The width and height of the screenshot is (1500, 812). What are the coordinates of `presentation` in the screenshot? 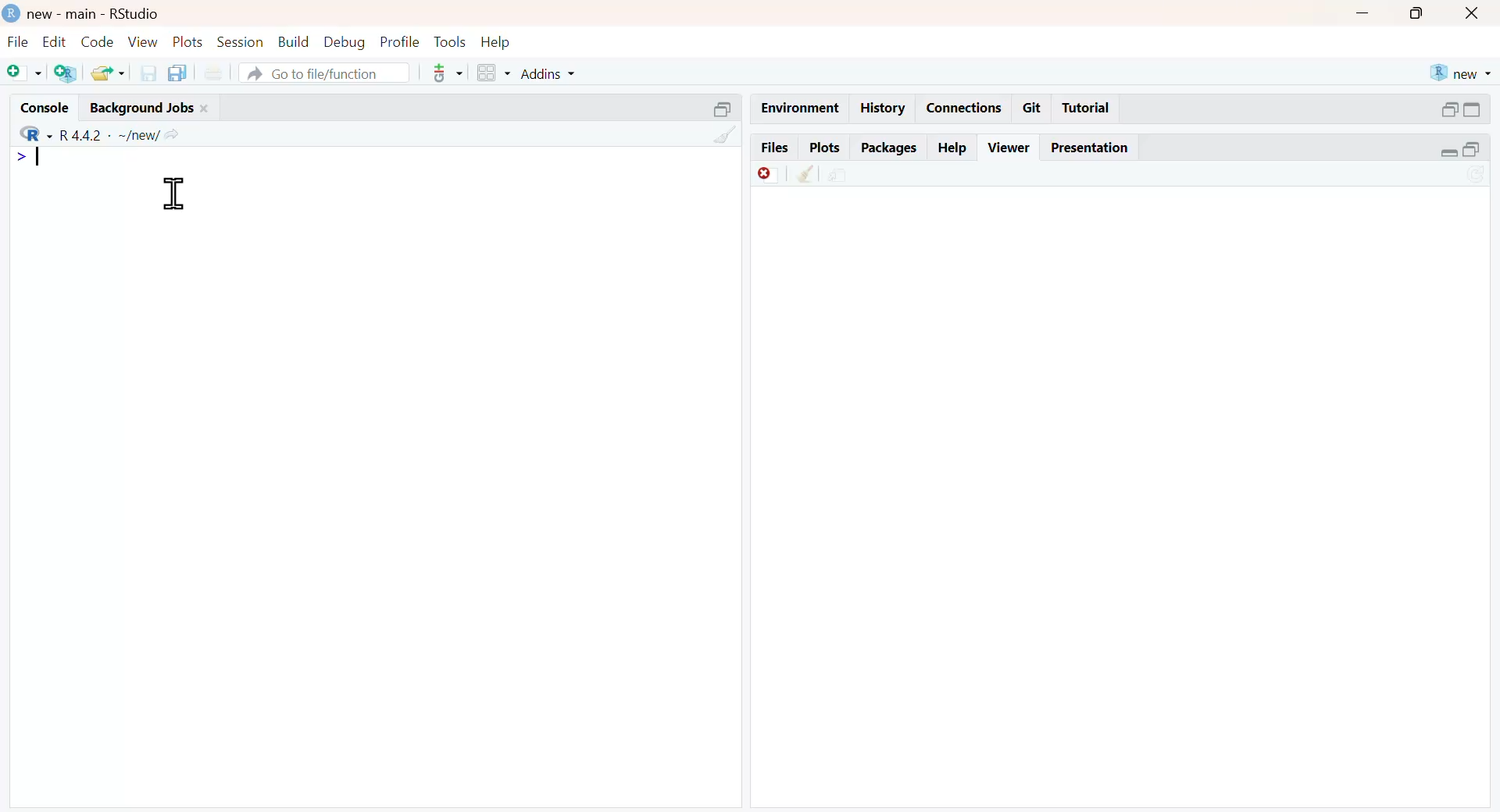 It's located at (1090, 148).